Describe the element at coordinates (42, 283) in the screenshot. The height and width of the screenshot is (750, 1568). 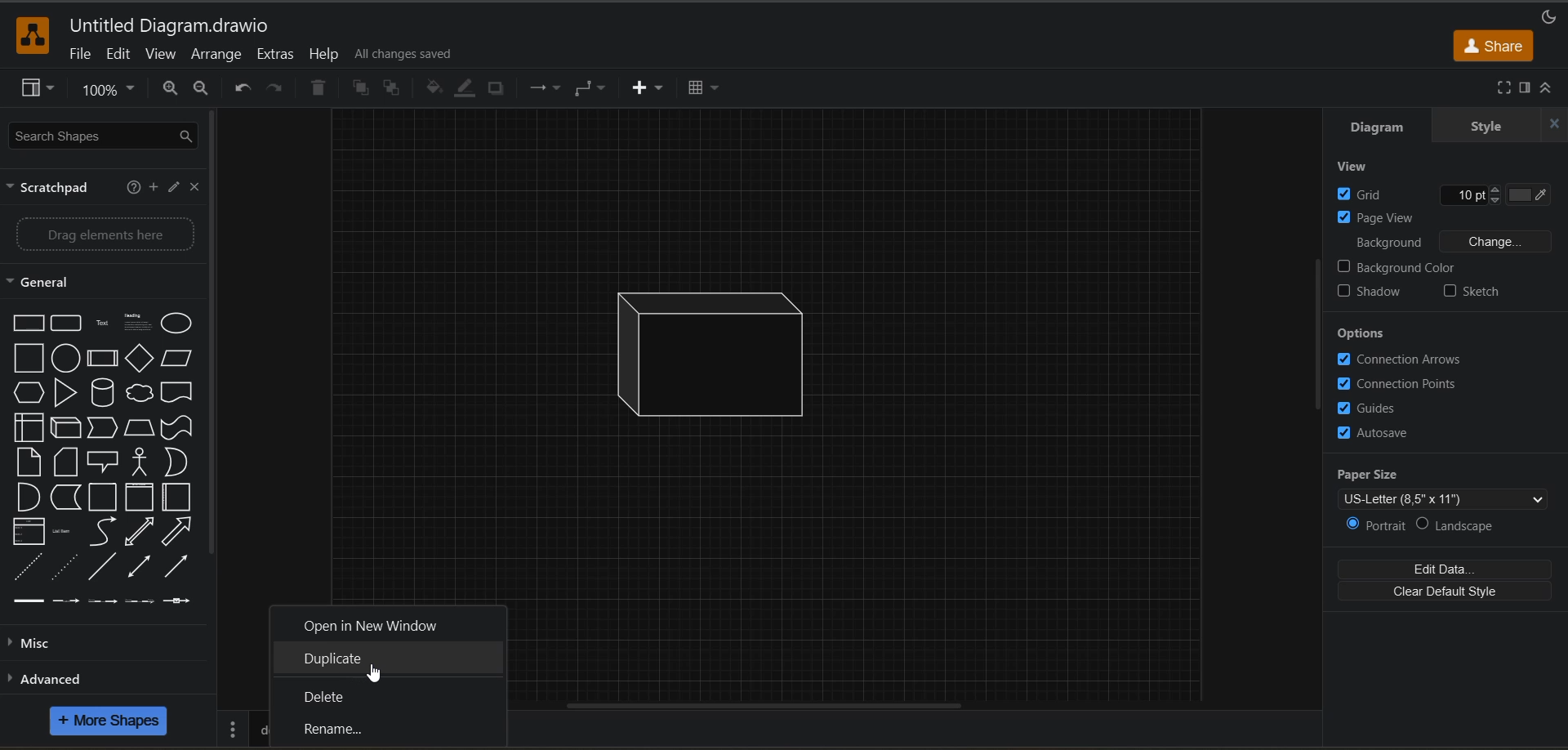
I see `general` at that location.